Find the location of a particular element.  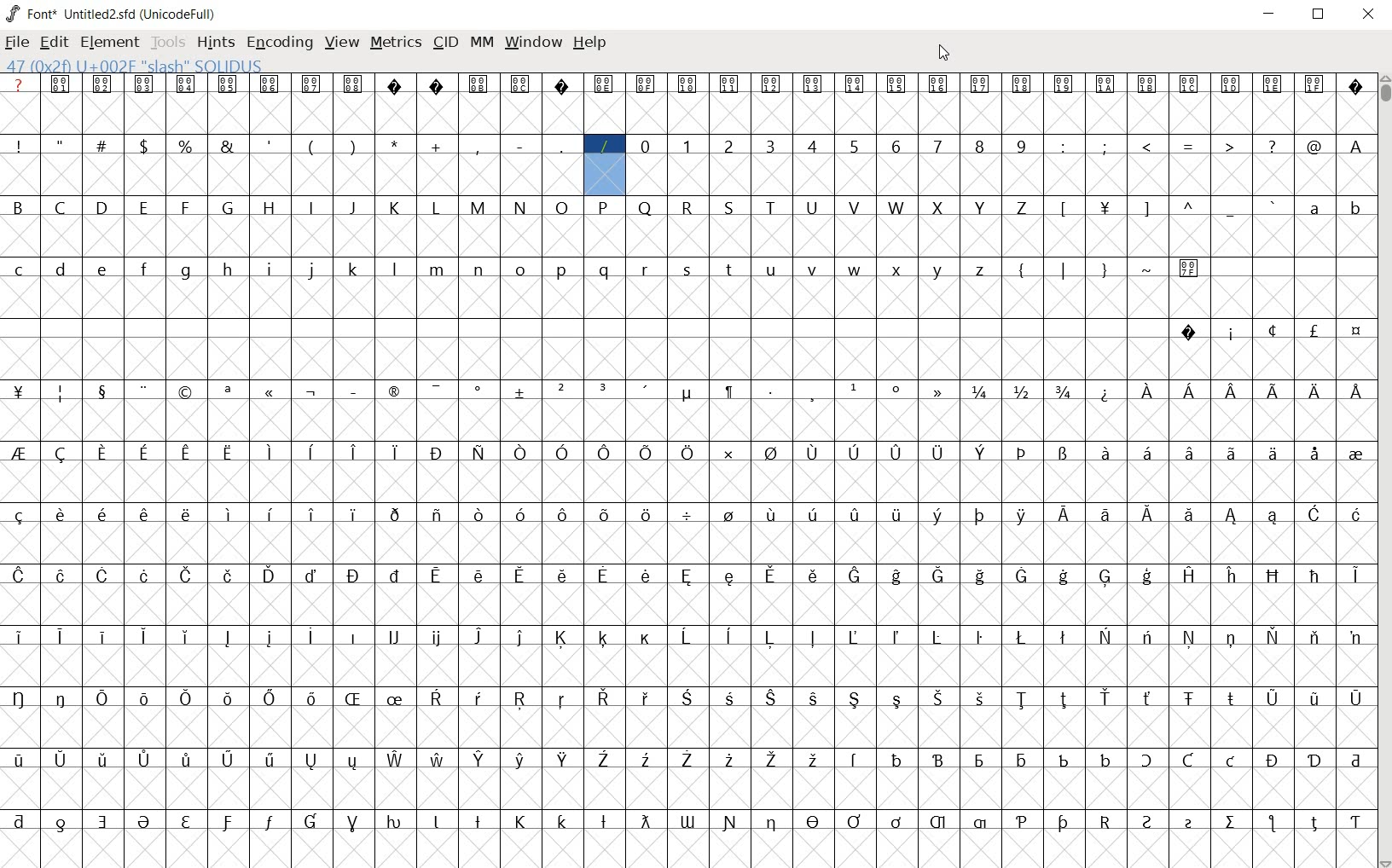

glyph is located at coordinates (1189, 824).